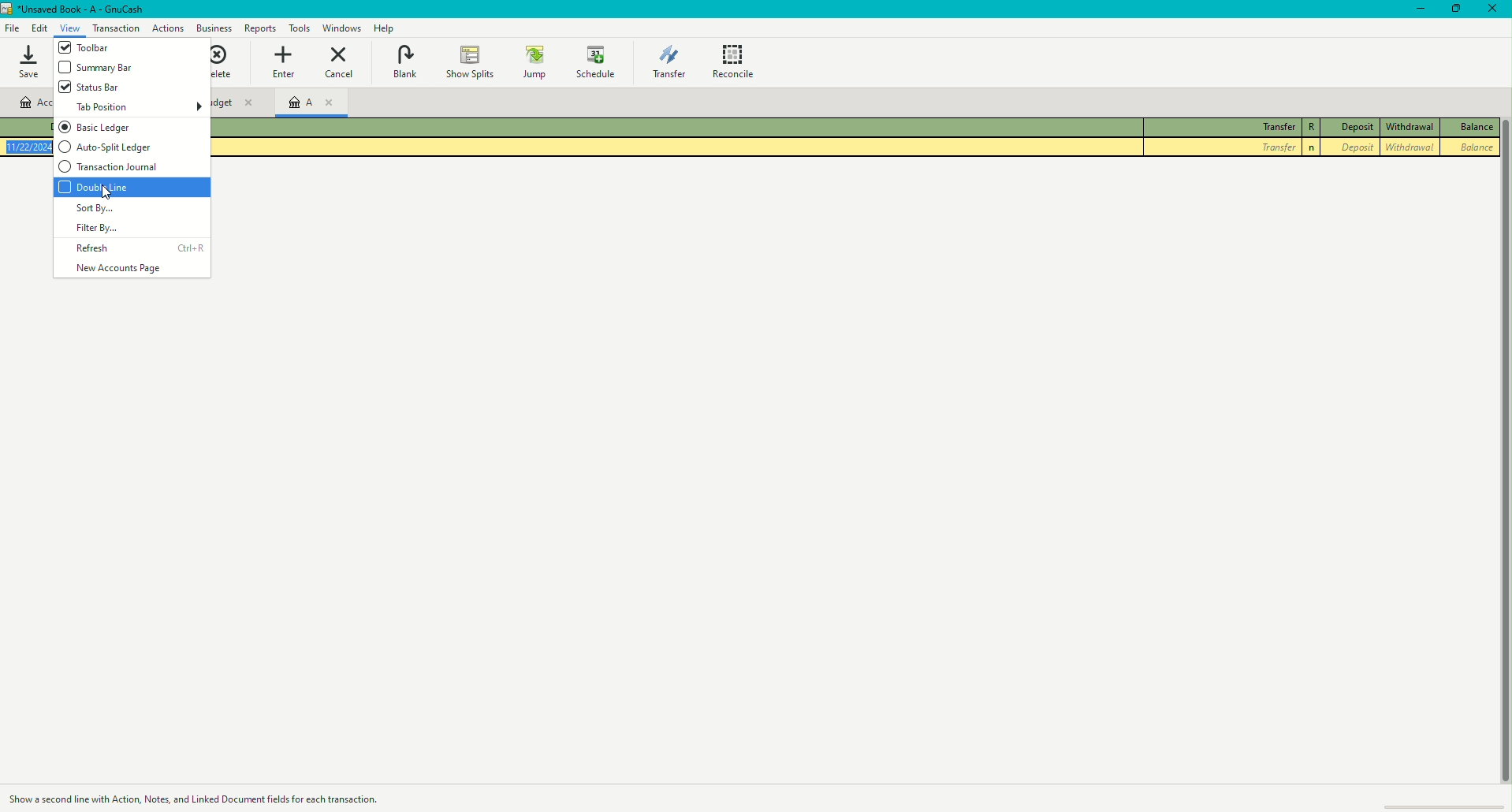  What do you see at coordinates (67, 28) in the screenshot?
I see `View` at bounding box center [67, 28].